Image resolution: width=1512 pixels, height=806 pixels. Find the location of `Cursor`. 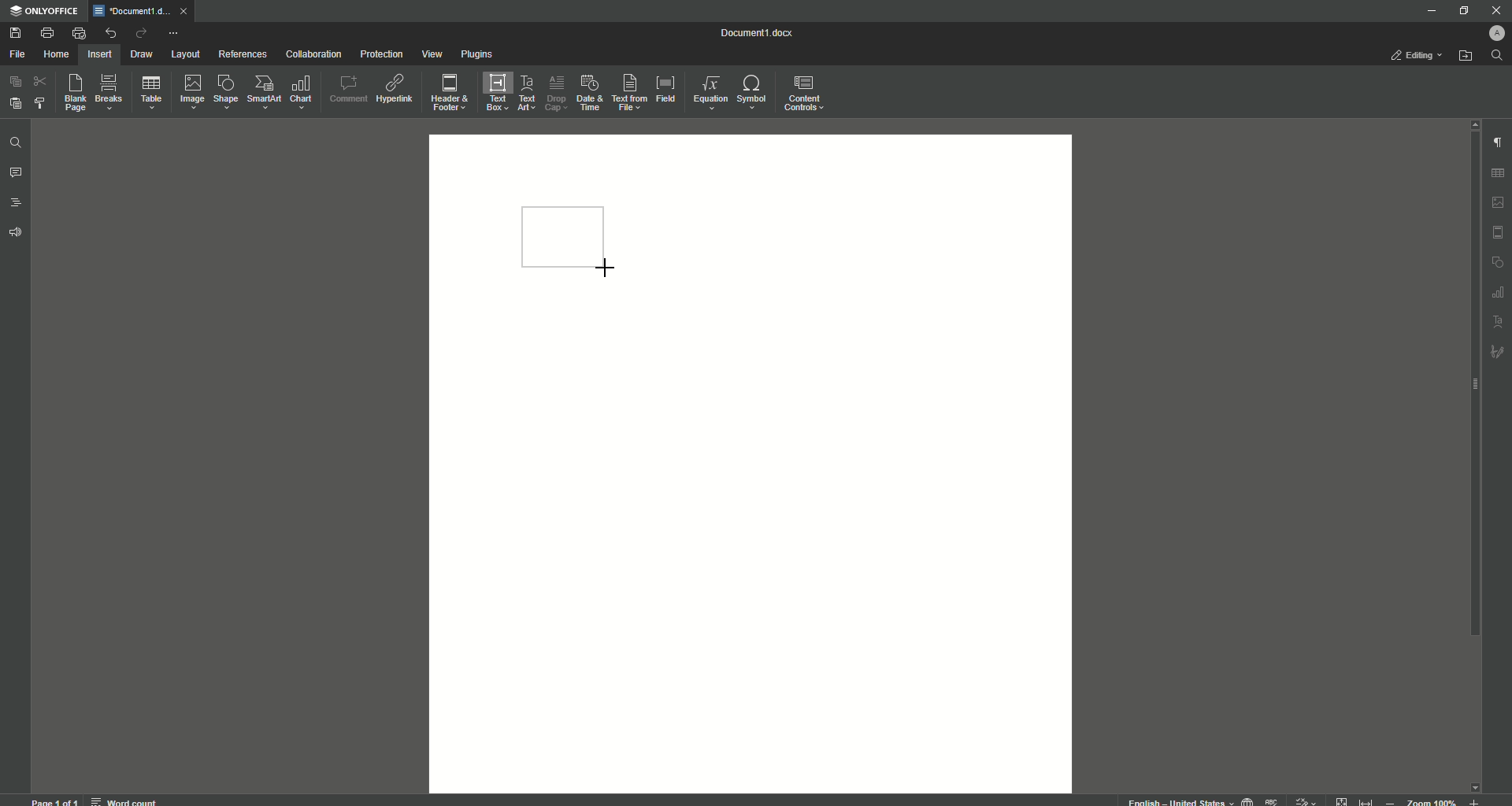

Cursor is located at coordinates (605, 272).